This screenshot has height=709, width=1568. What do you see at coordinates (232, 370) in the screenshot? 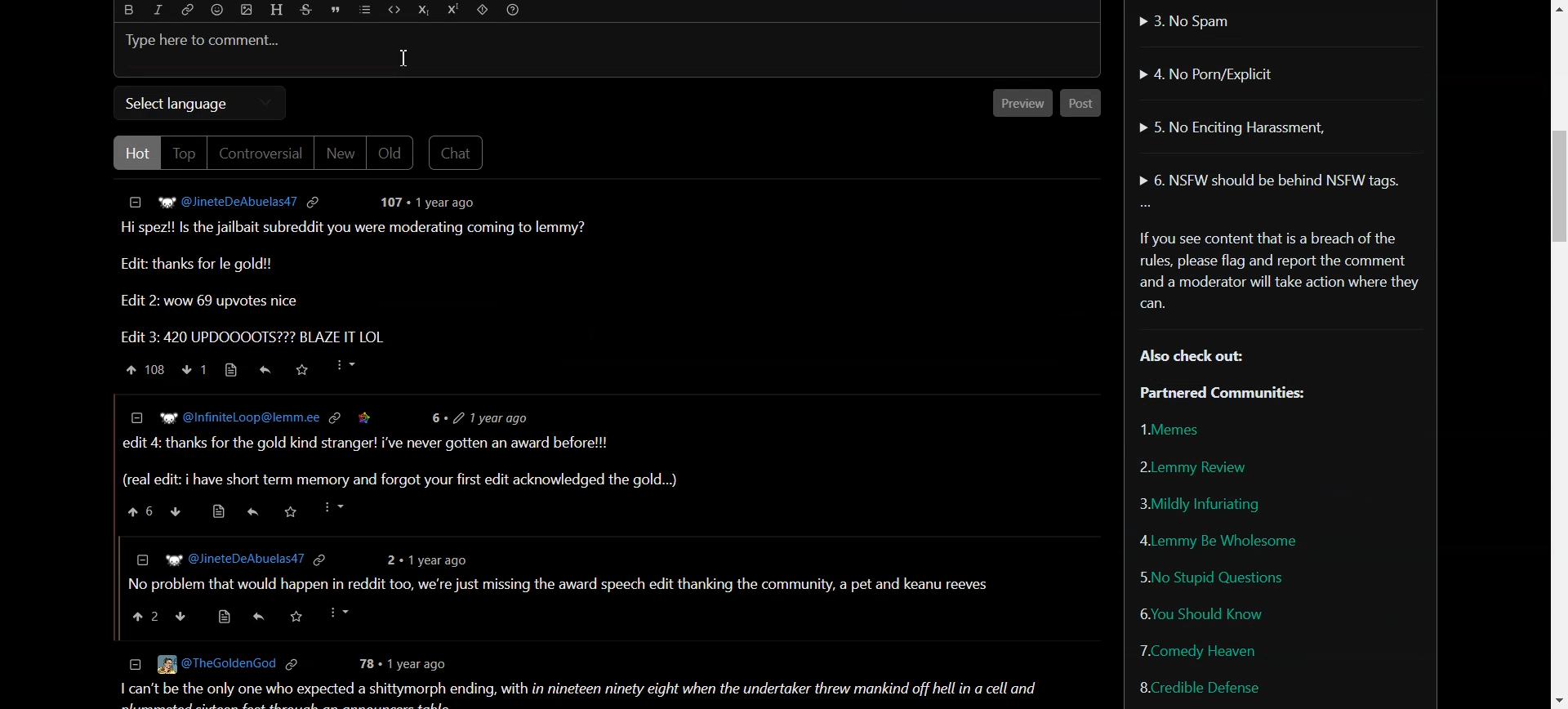
I see `Source` at bounding box center [232, 370].